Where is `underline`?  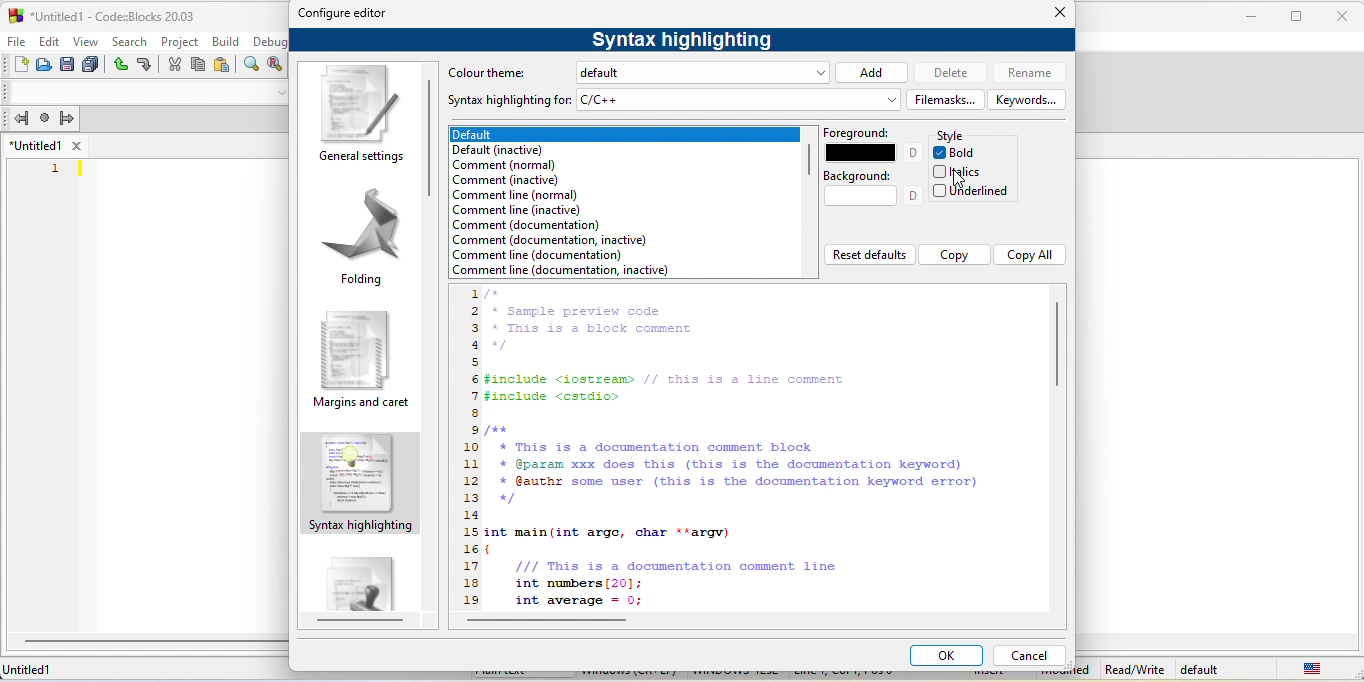 underline is located at coordinates (972, 192).